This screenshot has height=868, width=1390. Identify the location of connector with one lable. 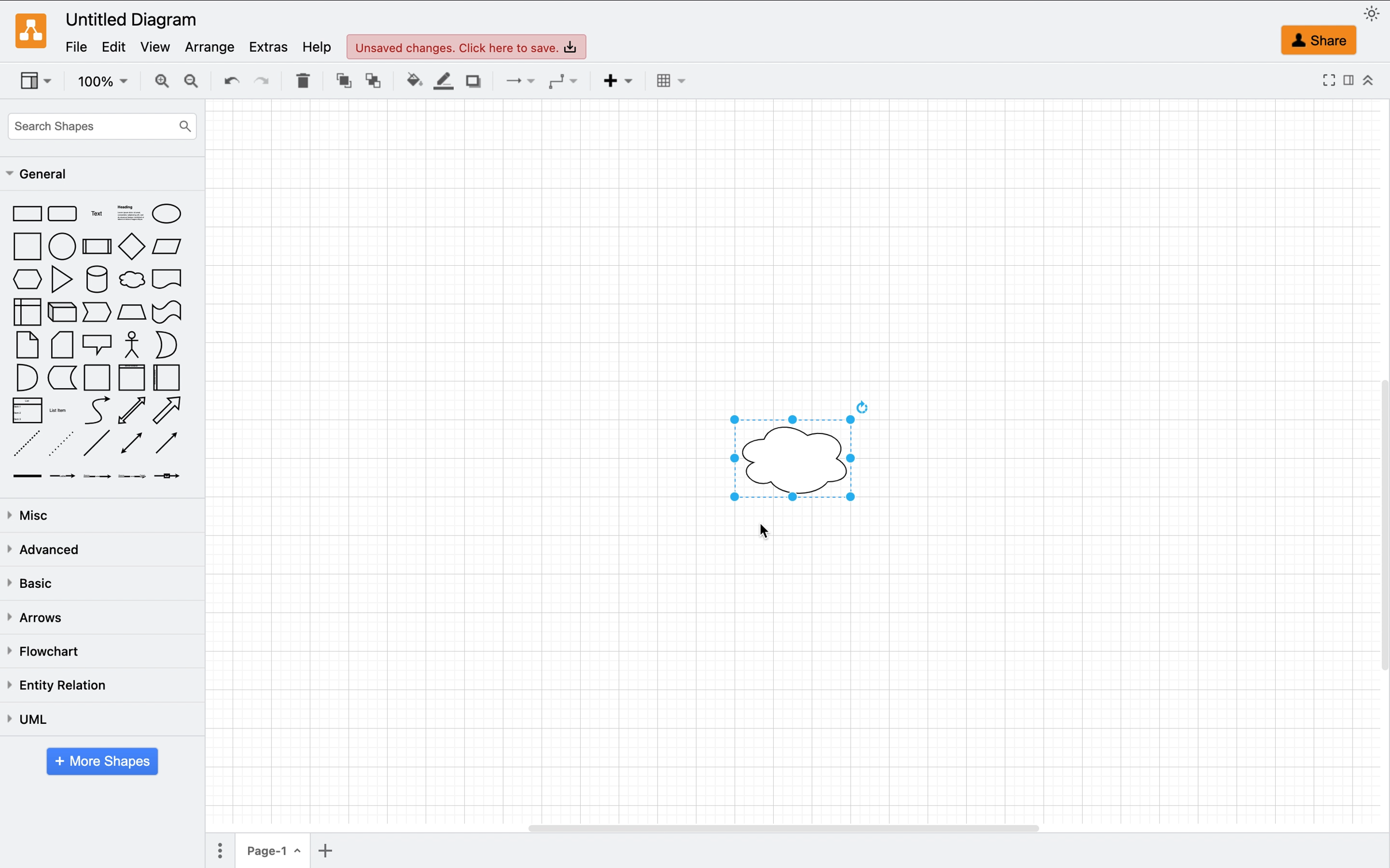
(62, 476).